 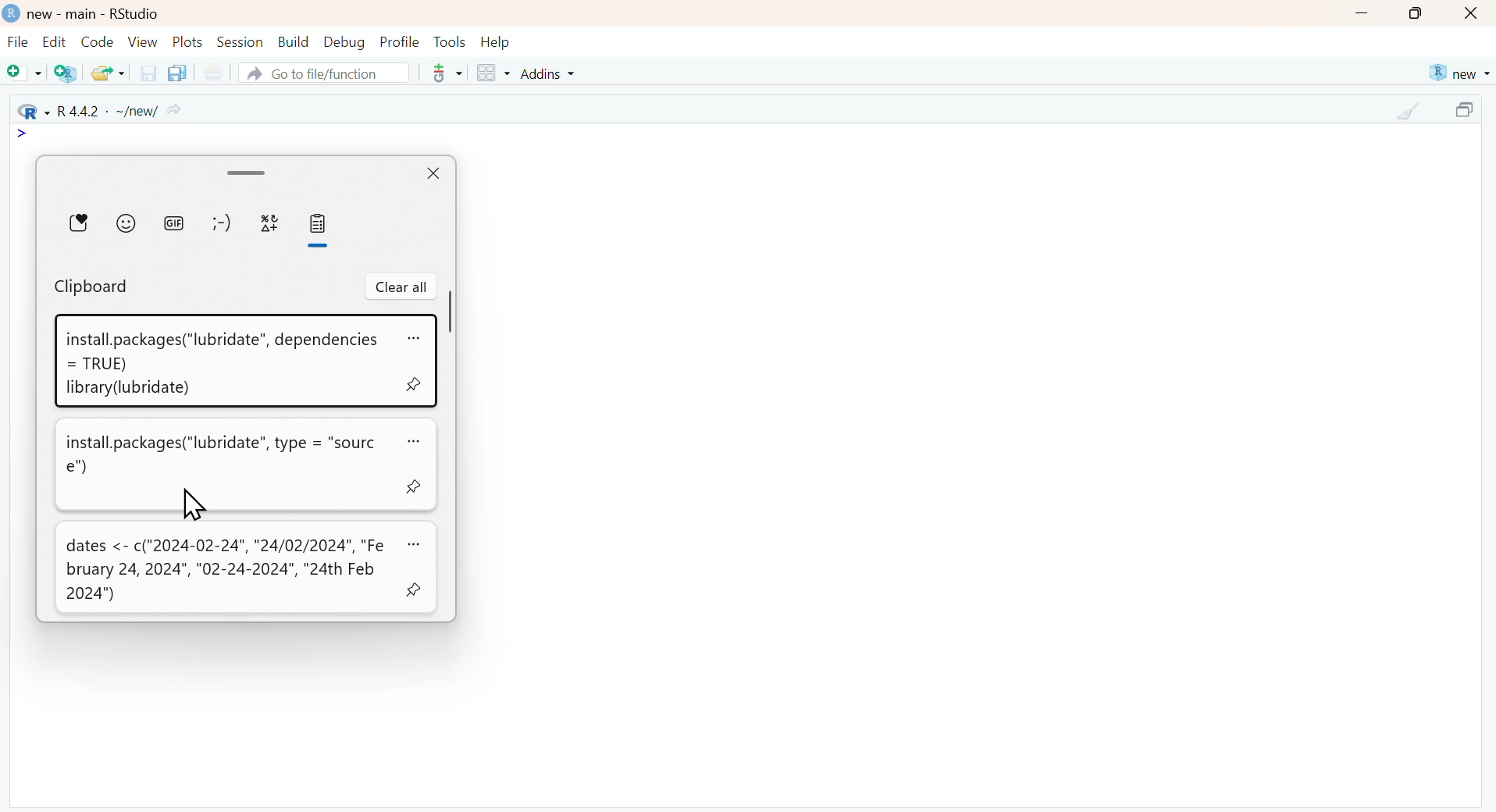 What do you see at coordinates (269, 223) in the screenshot?
I see `special characters` at bounding box center [269, 223].